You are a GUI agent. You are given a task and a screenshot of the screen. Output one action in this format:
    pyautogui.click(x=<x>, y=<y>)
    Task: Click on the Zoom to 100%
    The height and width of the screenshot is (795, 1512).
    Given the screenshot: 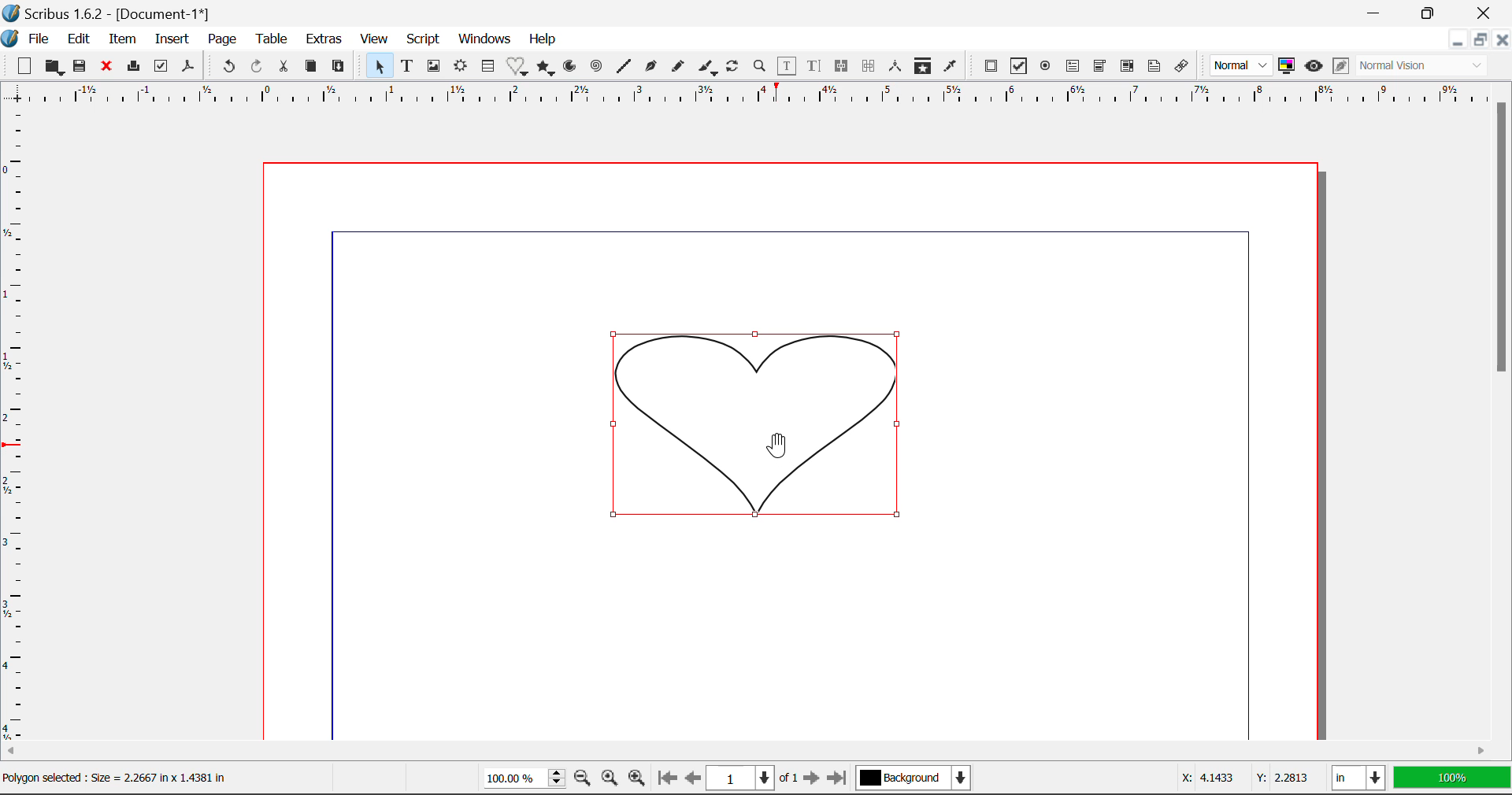 What is the action you would take?
    pyautogui.click(x=608, y=780)
    